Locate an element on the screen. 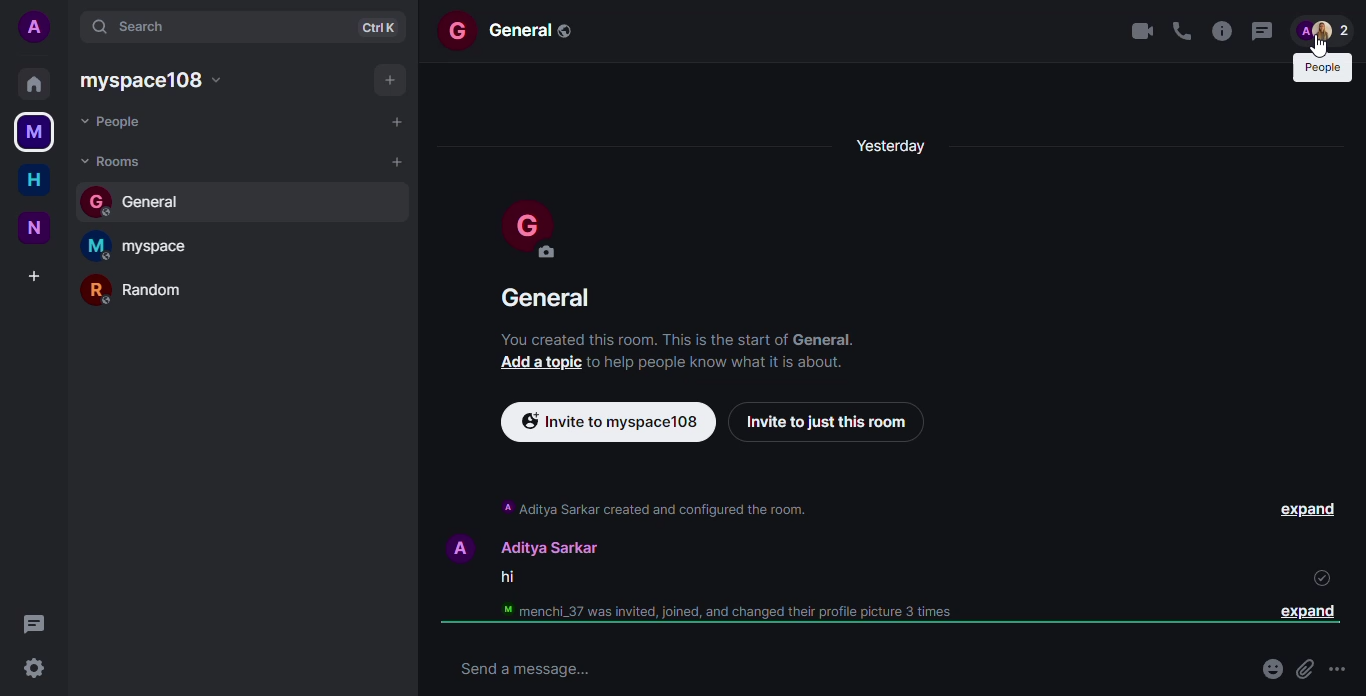  random is located at coordinates (140, 290).